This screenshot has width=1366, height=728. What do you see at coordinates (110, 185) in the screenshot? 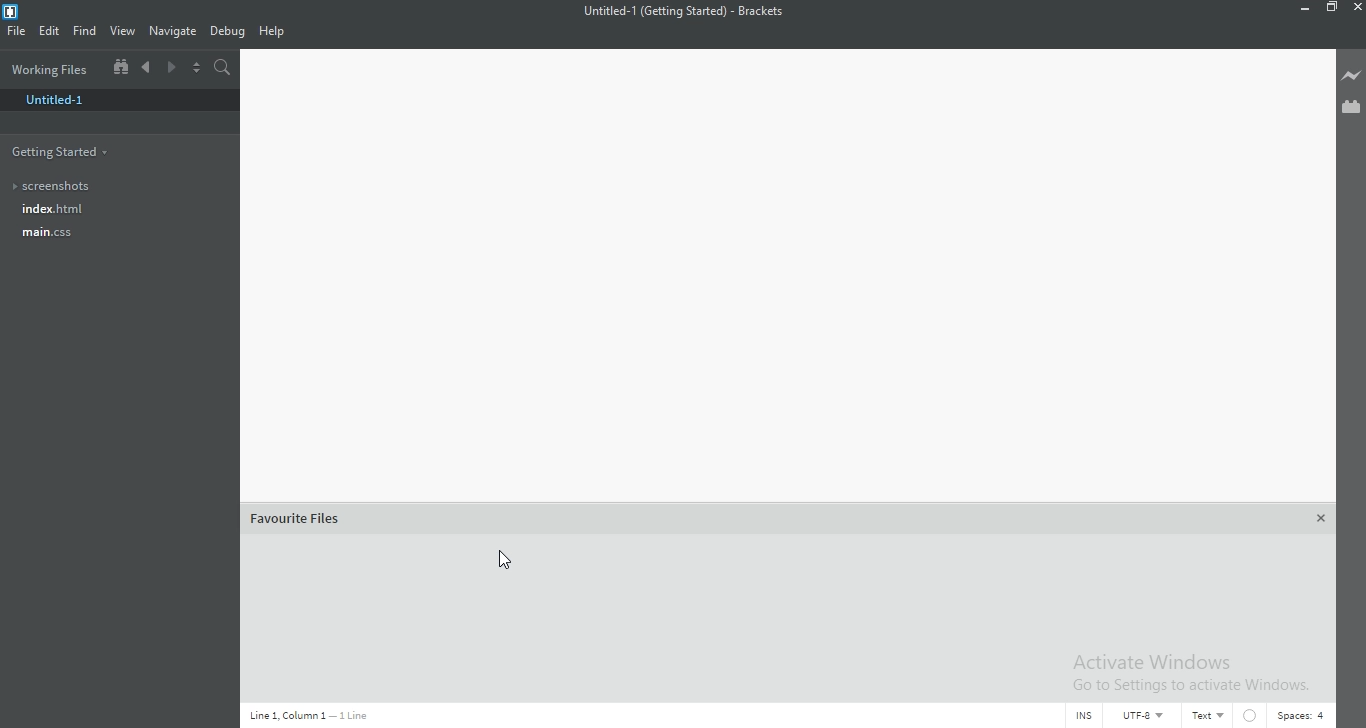
I see `Screenshots` at bounding box center [110, 185].